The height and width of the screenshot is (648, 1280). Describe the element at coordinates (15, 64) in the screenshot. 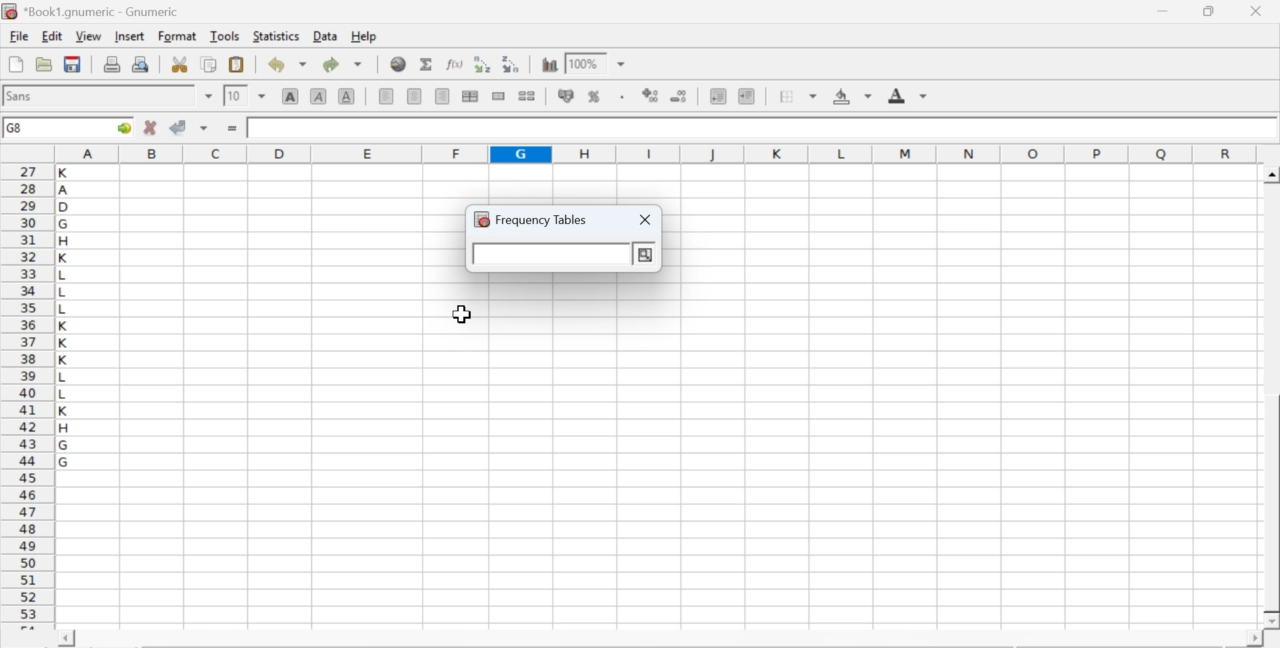

I see `new` at that location.